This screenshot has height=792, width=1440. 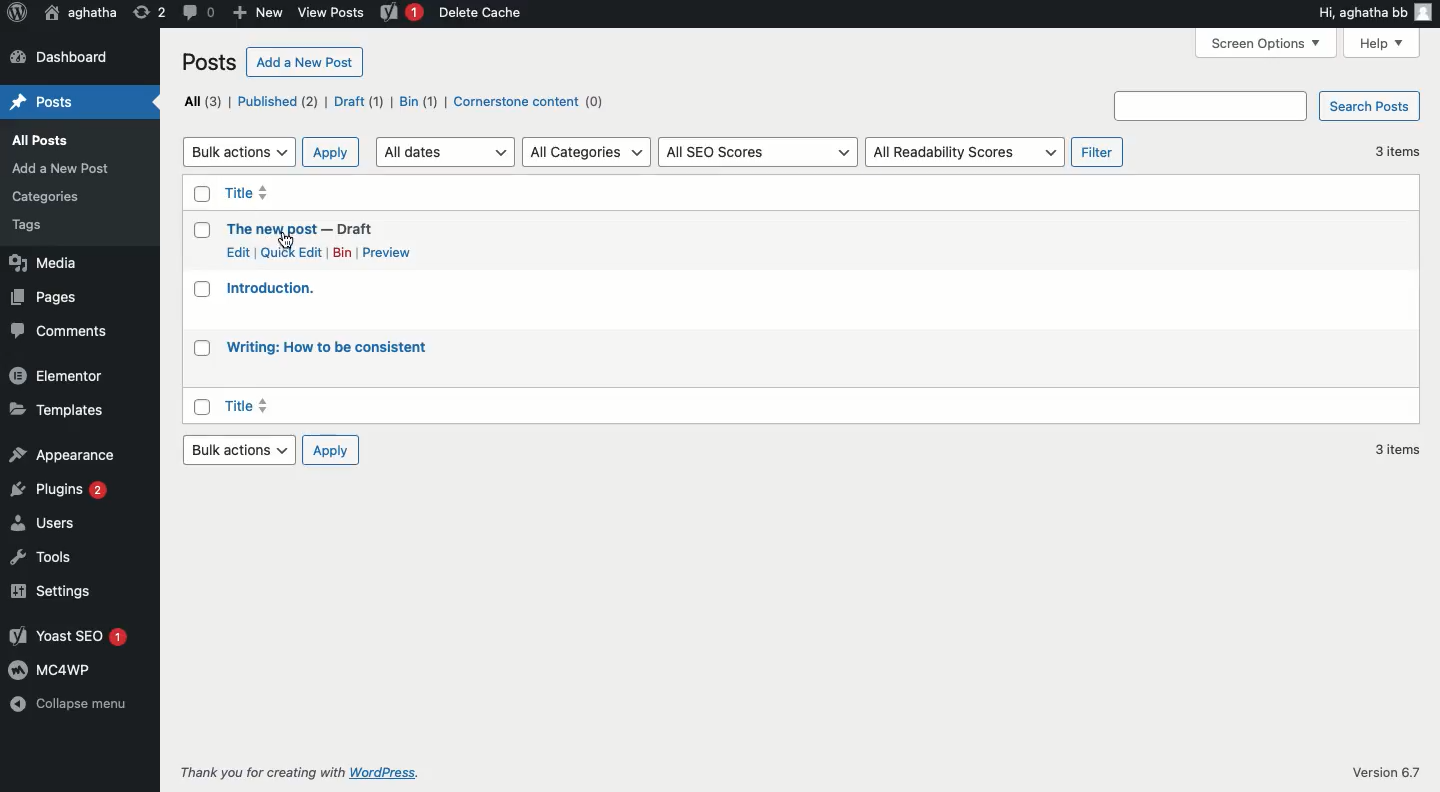 I want to click on All Posts, so click(x=41, y=140).